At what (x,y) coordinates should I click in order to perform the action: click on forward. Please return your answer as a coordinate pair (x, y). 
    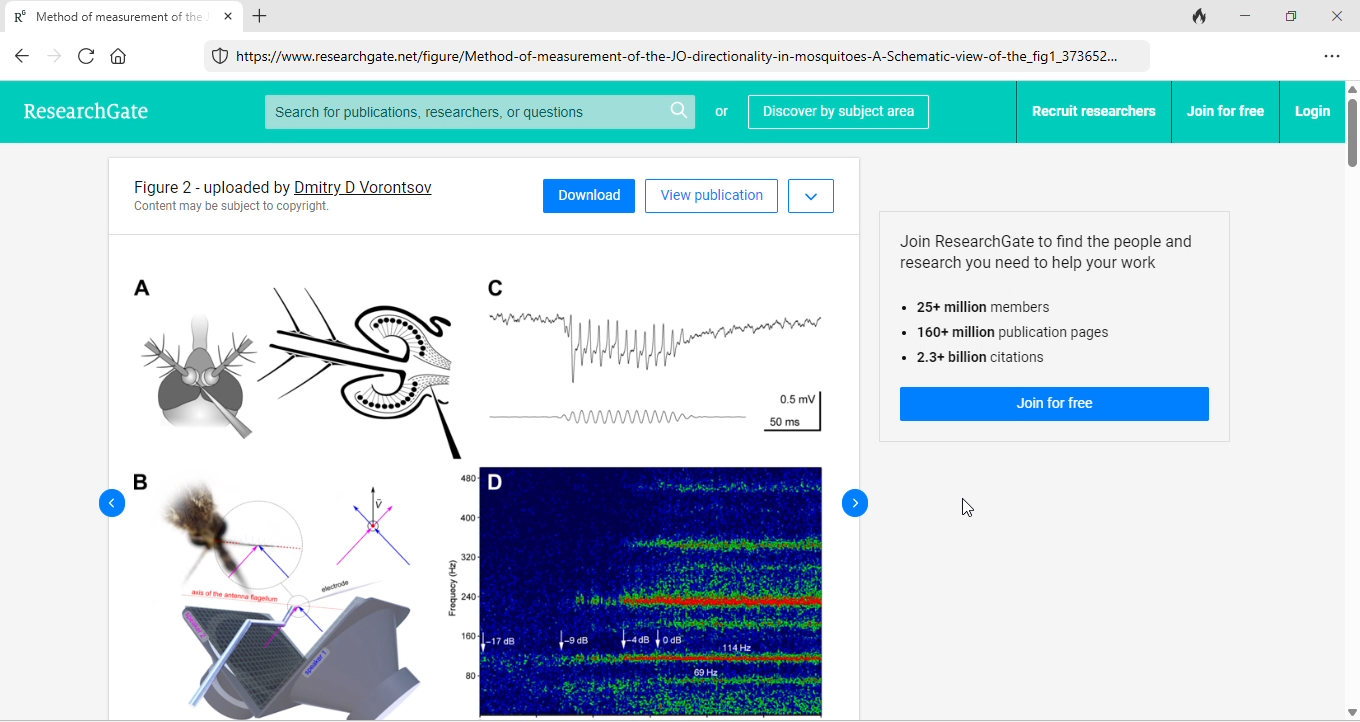
    Looking at the image, I should click on (50, 58).